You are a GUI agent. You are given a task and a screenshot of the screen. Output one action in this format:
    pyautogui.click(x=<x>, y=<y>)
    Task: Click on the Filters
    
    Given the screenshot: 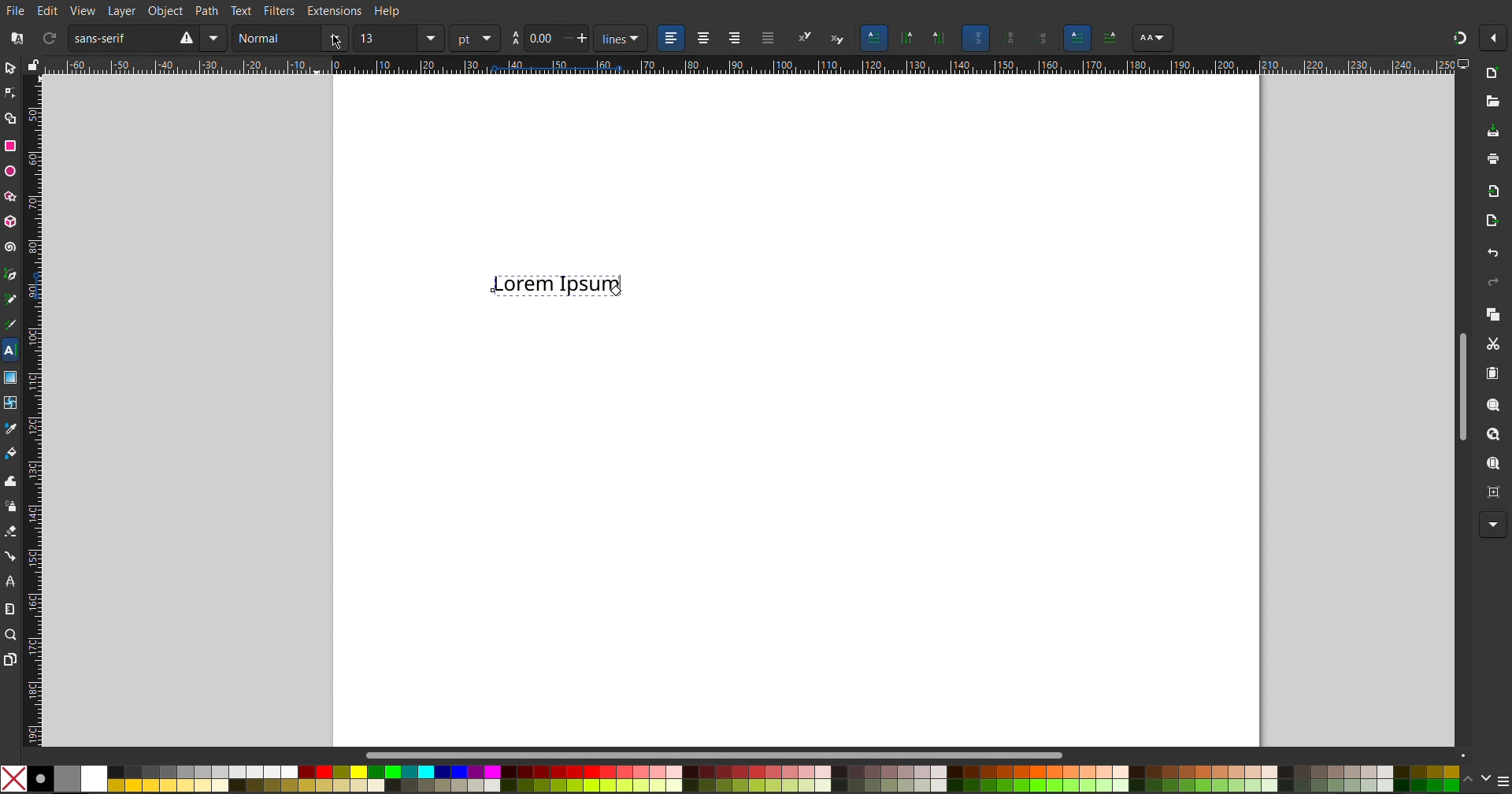 What is the action you would take?
    pyautogui.click(x=281, y=11)
    